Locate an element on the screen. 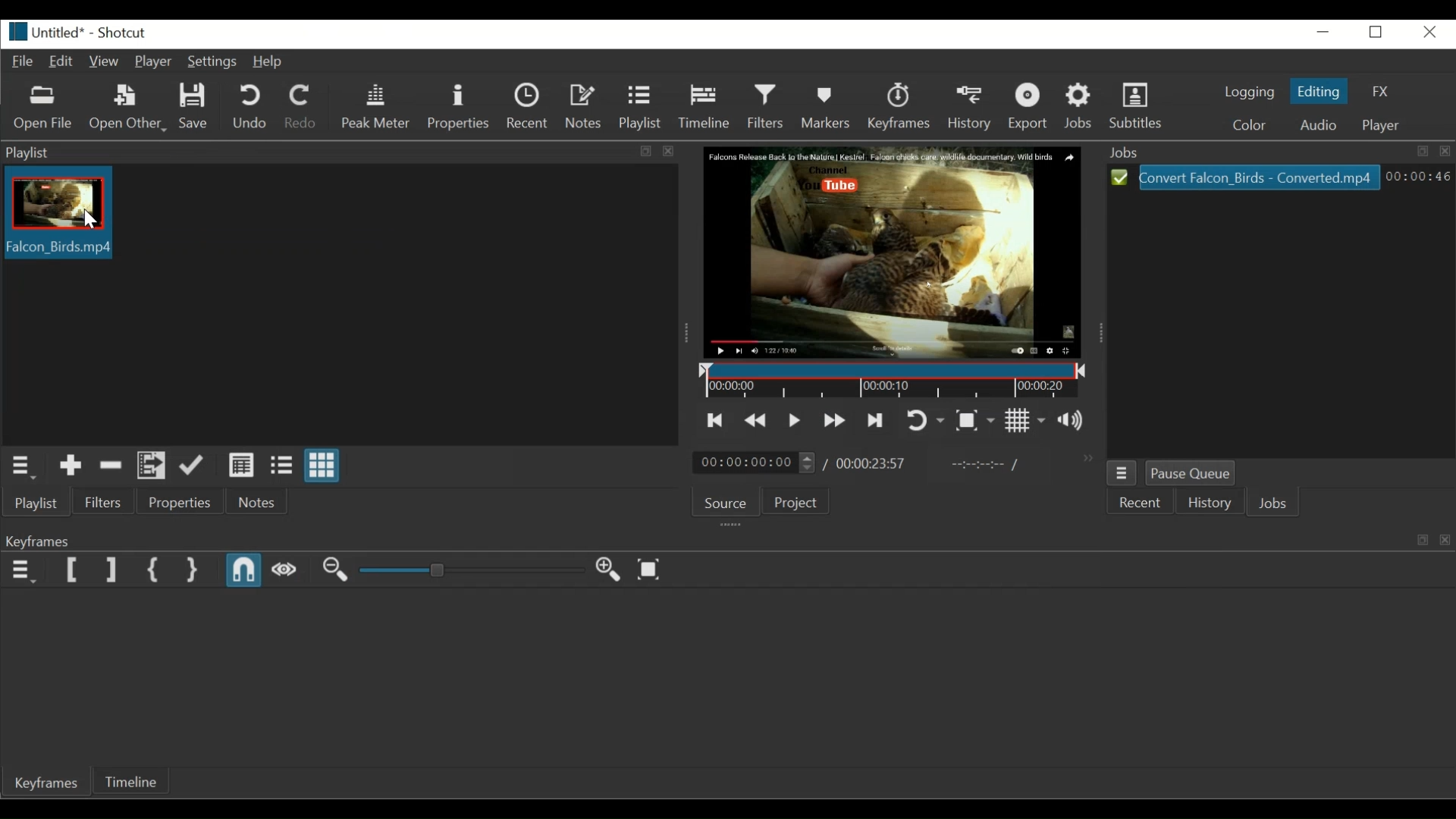  View as Files is located at coordinates (281, 466).